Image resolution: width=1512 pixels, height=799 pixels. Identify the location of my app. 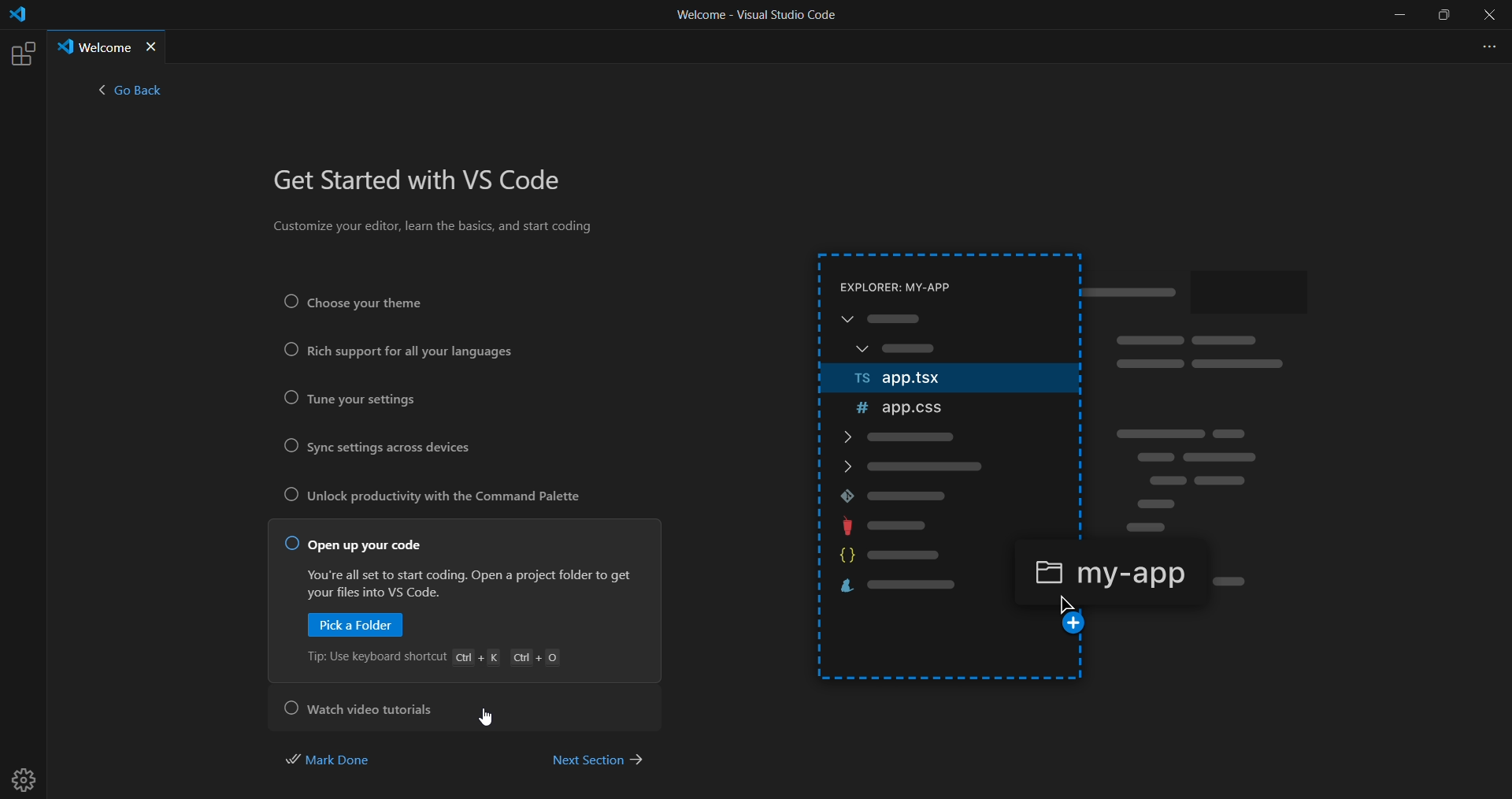
(1108, 570).